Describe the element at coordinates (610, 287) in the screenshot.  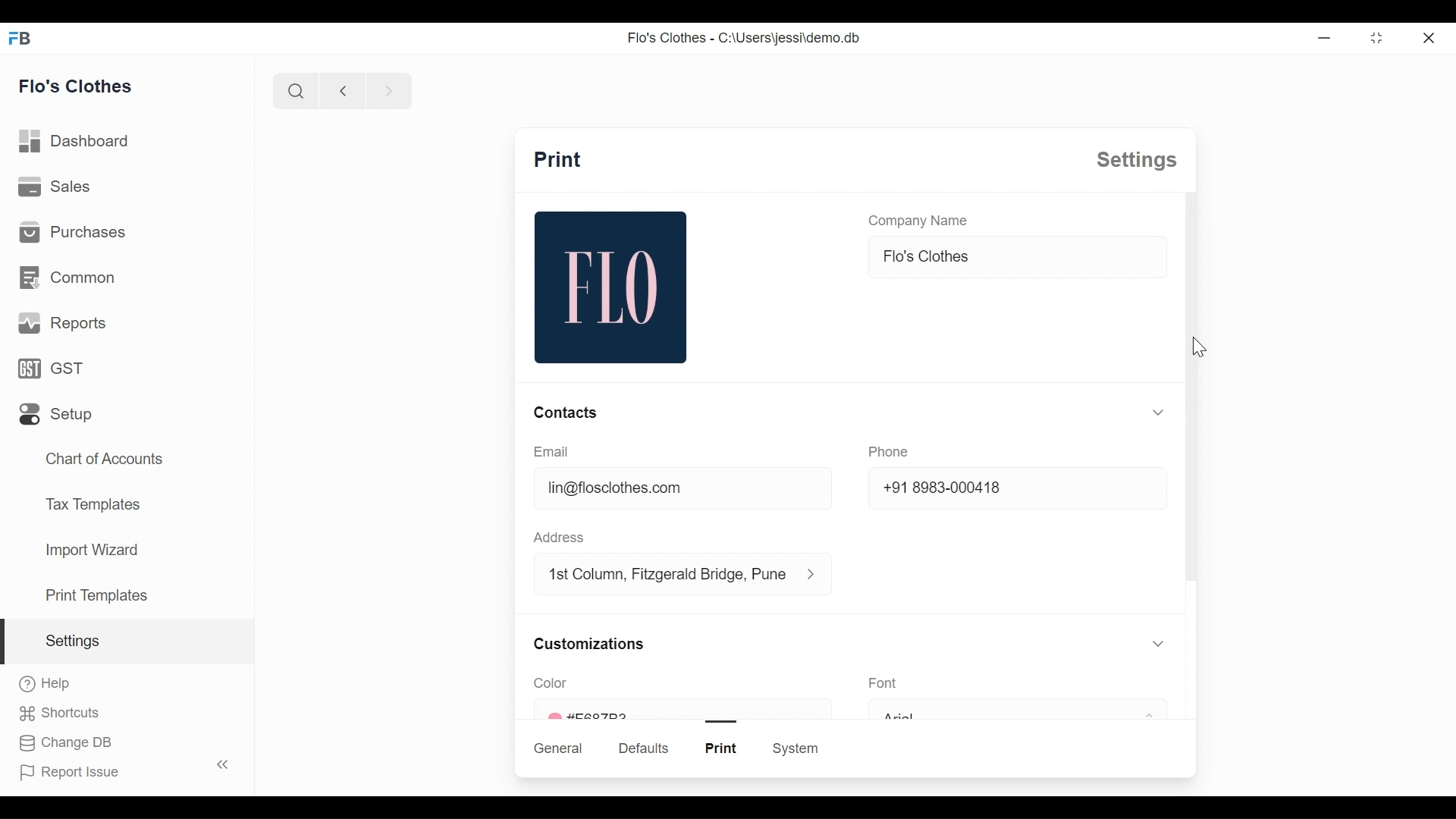
I see `flo image` at that location.